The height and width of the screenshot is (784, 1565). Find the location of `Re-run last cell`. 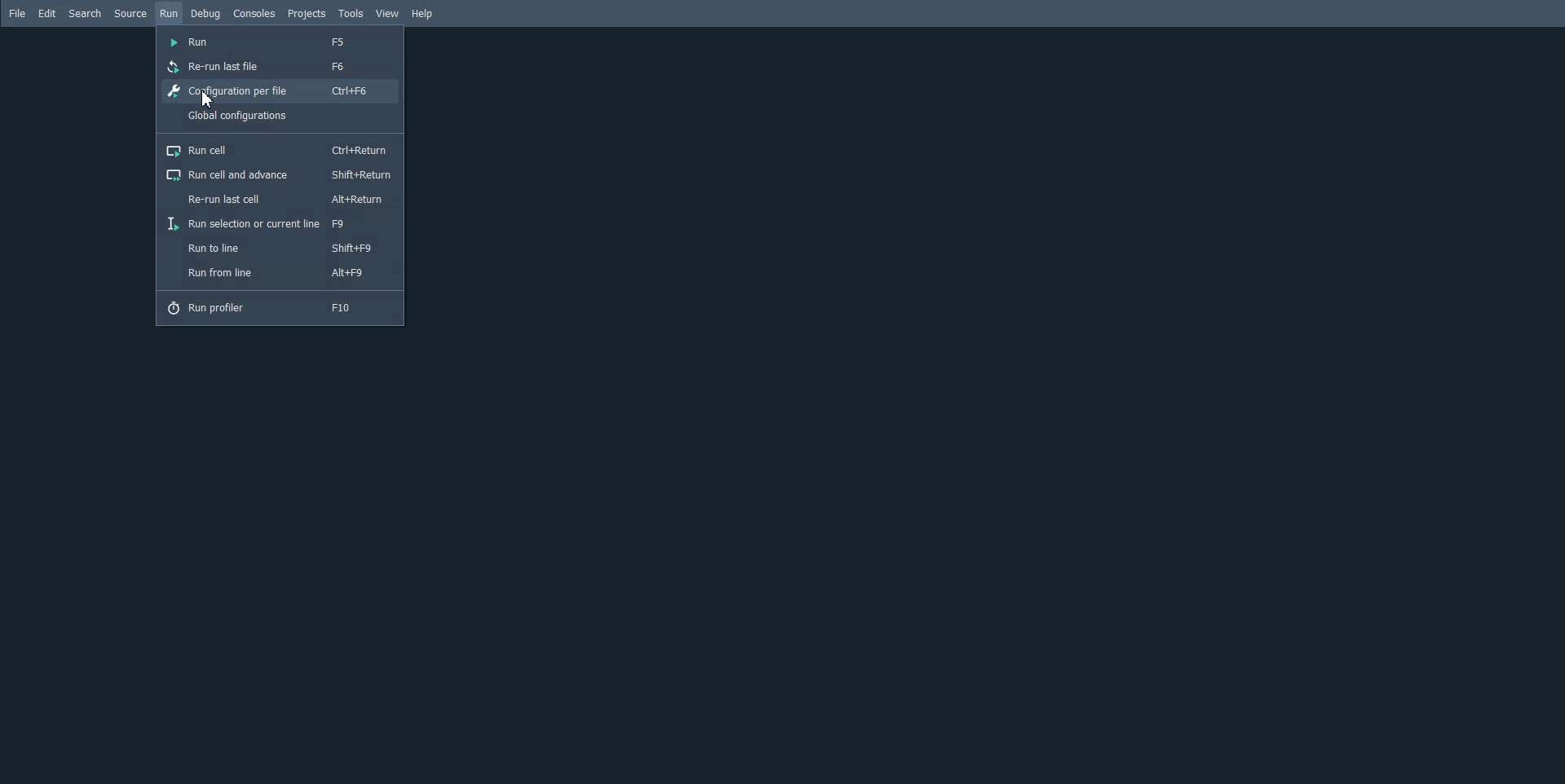

Re-run last cell is located at coordinates (280, 198).